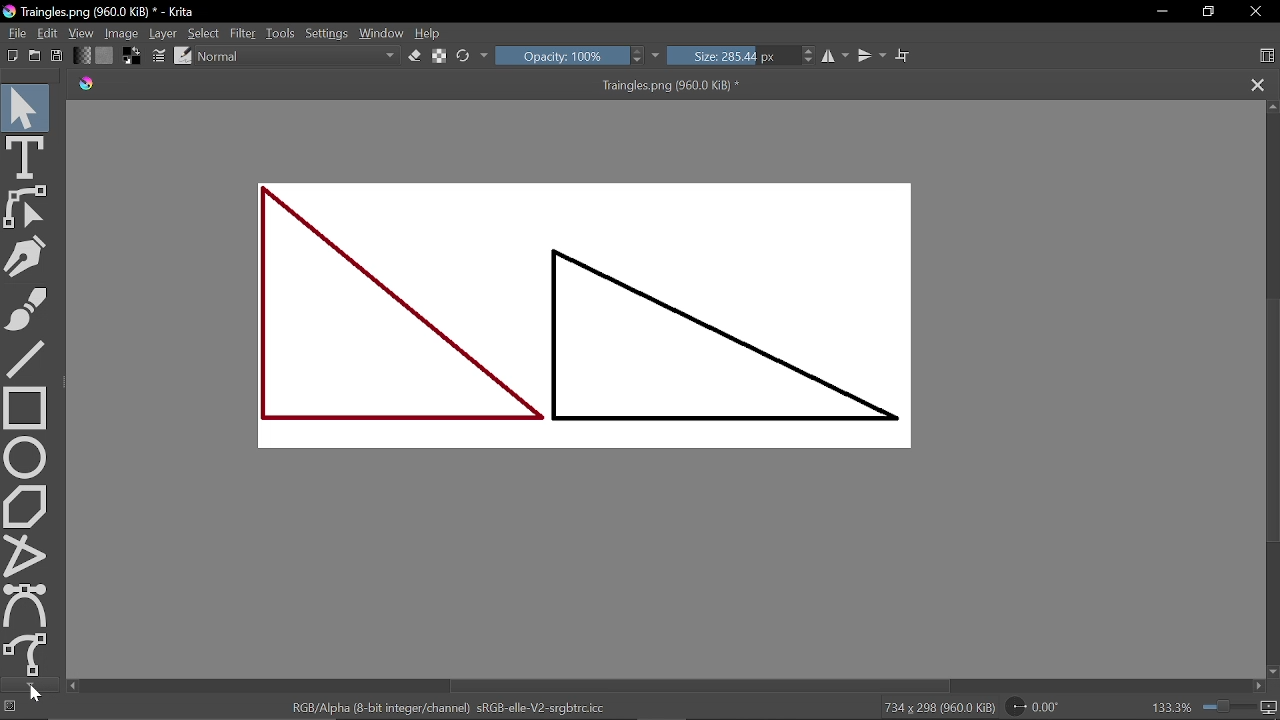 Image resolution: width=1280 pixels, height=720 pixels. I want to click on Caligraphy, so click(26, 256).